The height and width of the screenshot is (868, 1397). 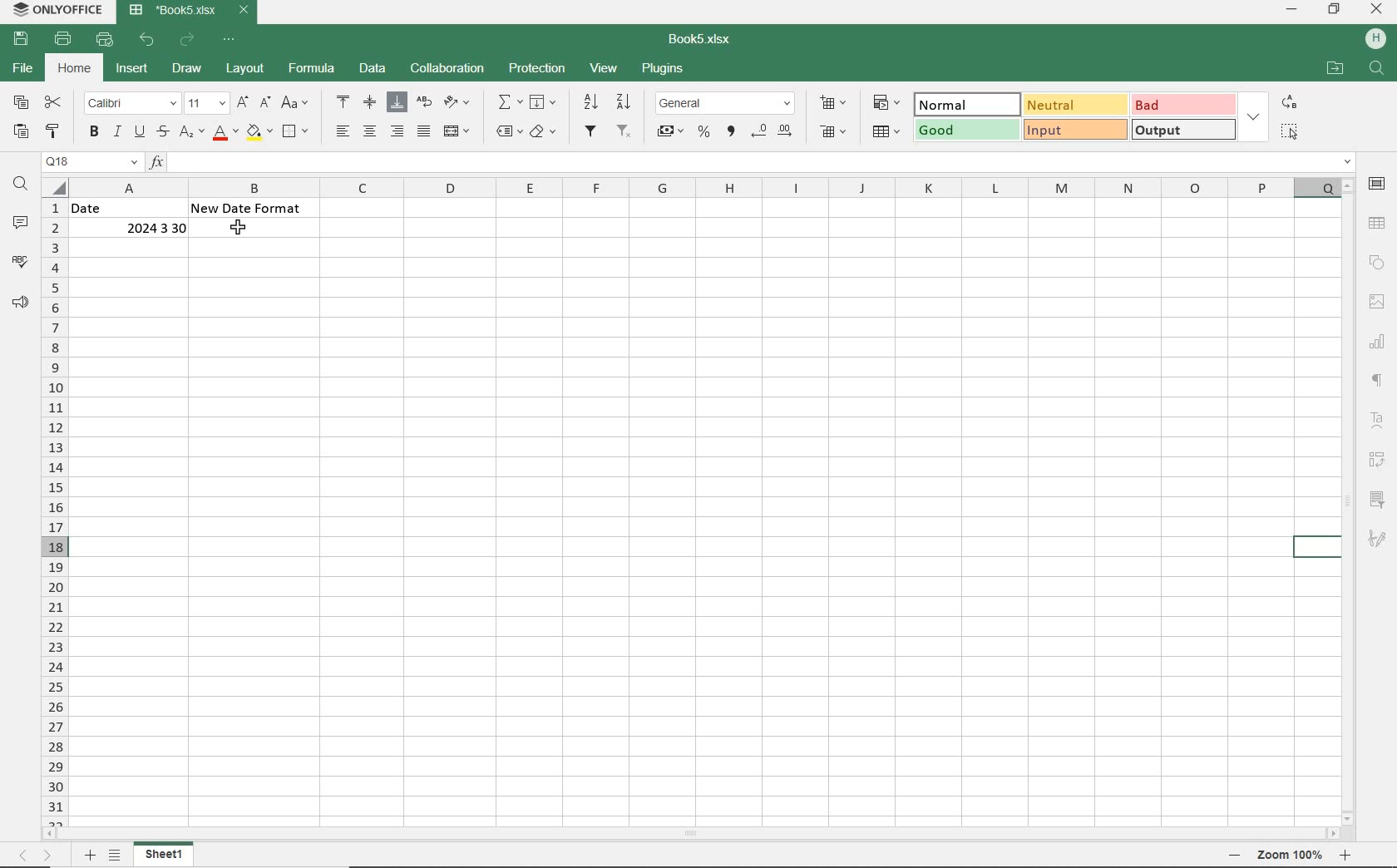 I want to click on PIVOT TABLE, so click(x=1378, y=458).